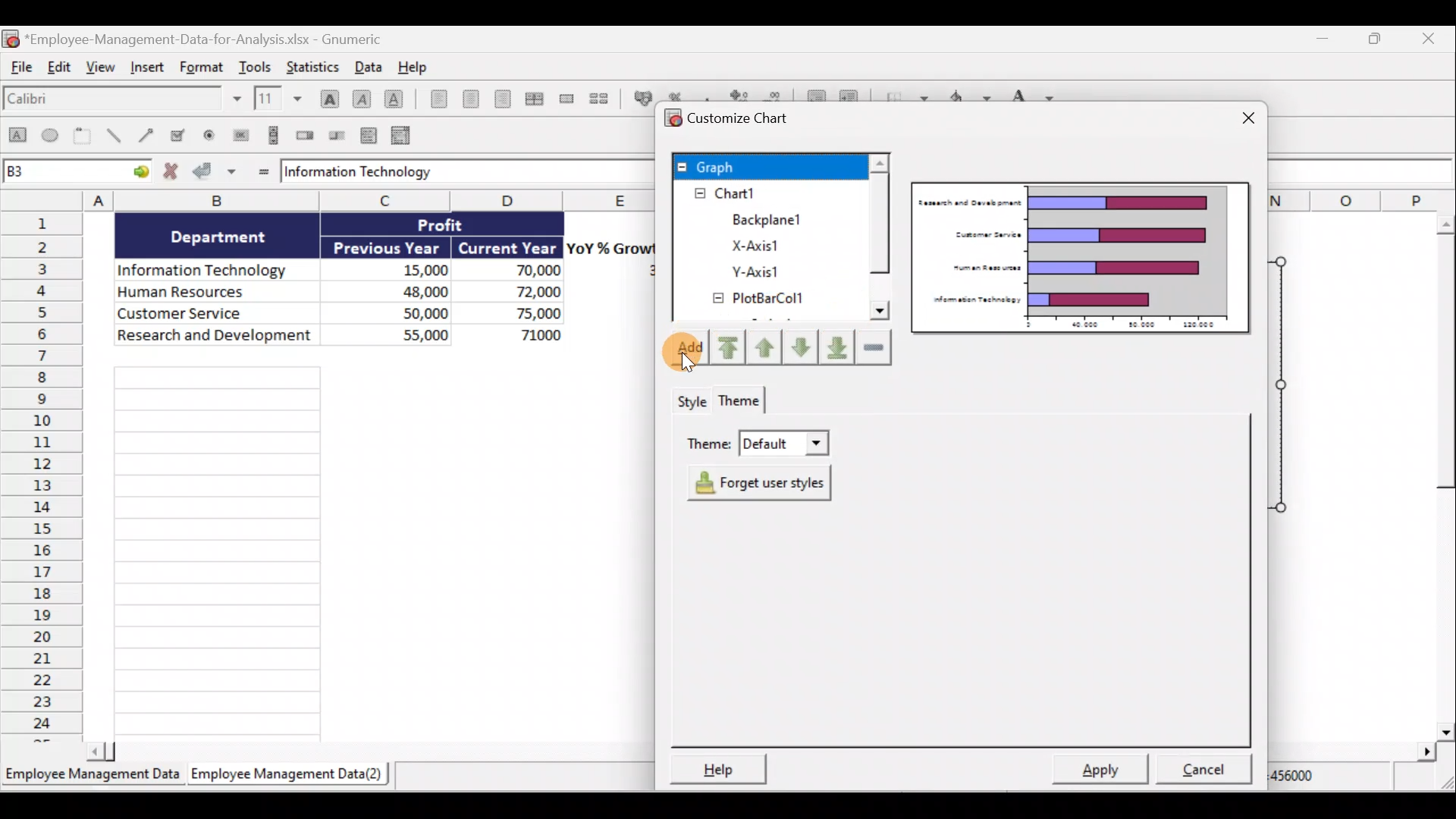 Image resolution: width=1456 pixels, height=819 pixels. Describe the element at coordinates (642, 99) in the screenshot. I see `Format the selection as accounting` at that location.